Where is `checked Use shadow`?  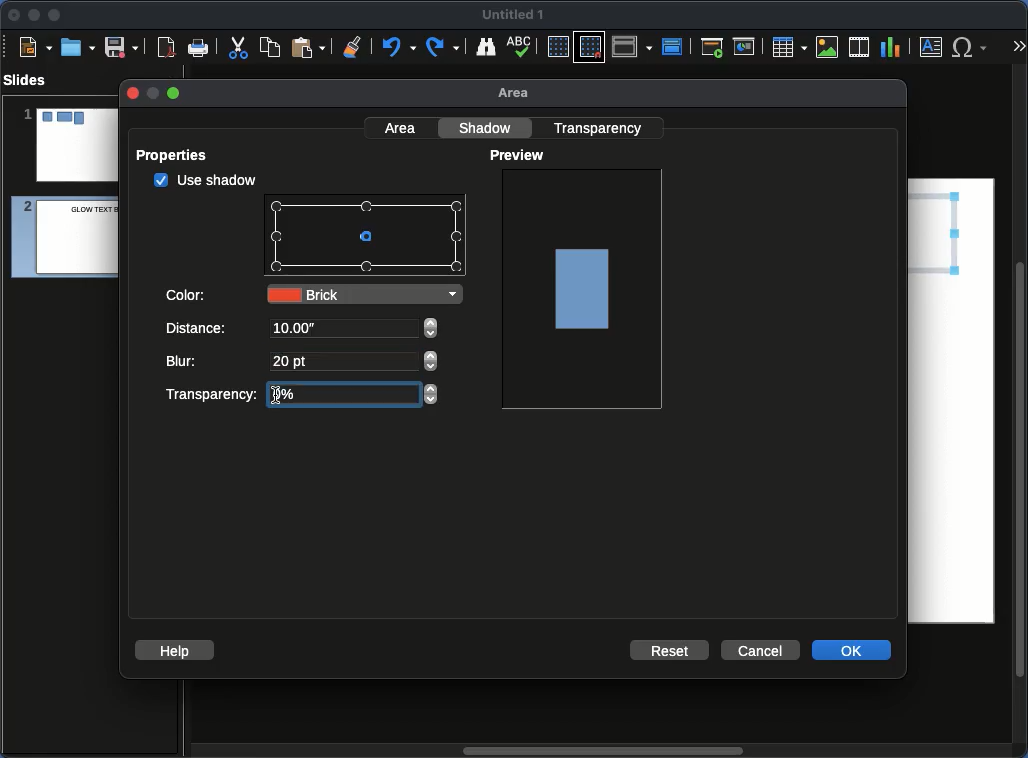 checked Use shadow is located at coordinates (206, 180).